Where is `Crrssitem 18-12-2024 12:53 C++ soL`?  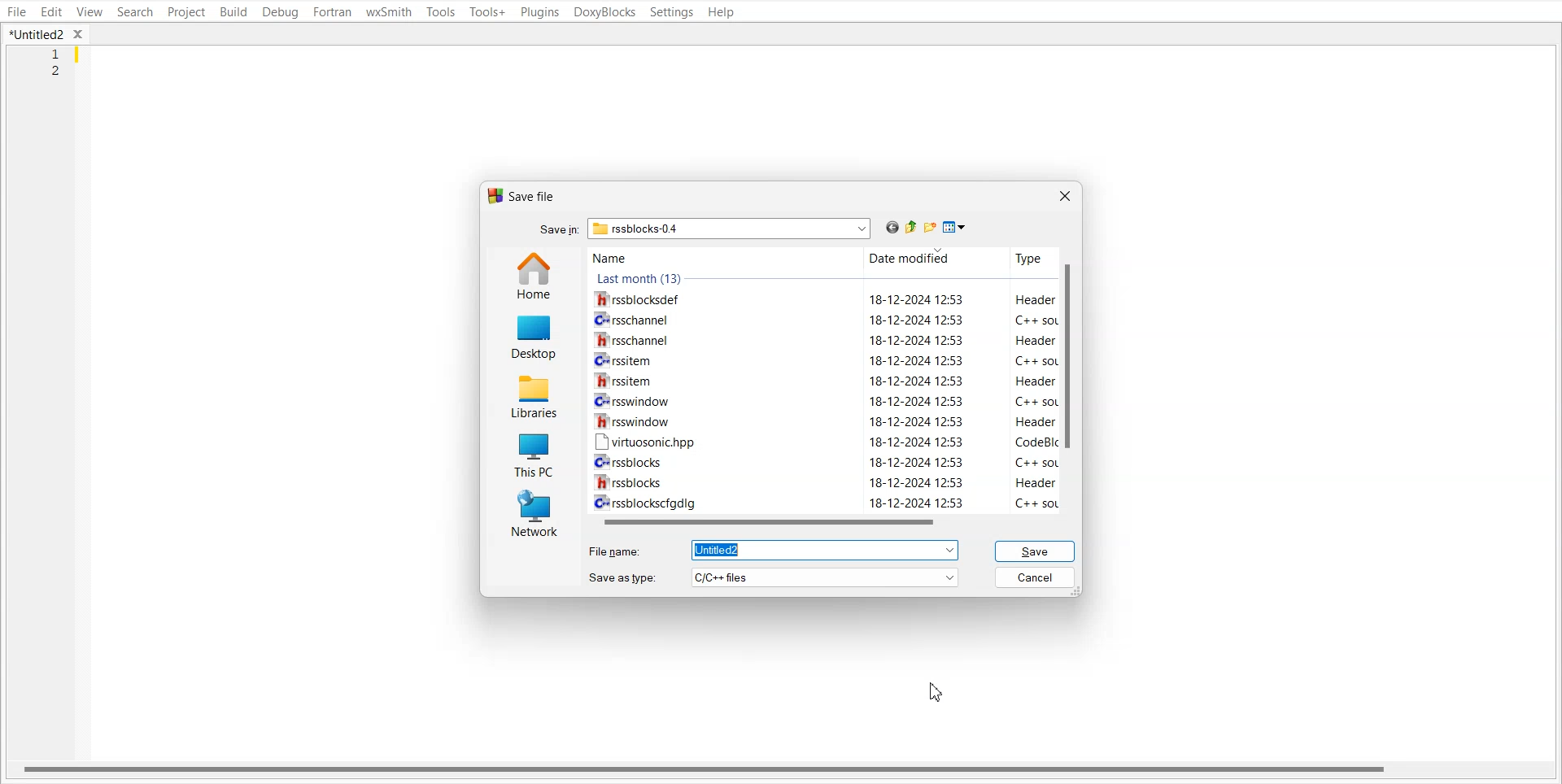
Crrssitem 18-12-2024 12:53 C++ soL is located at coordinates (827, 360).